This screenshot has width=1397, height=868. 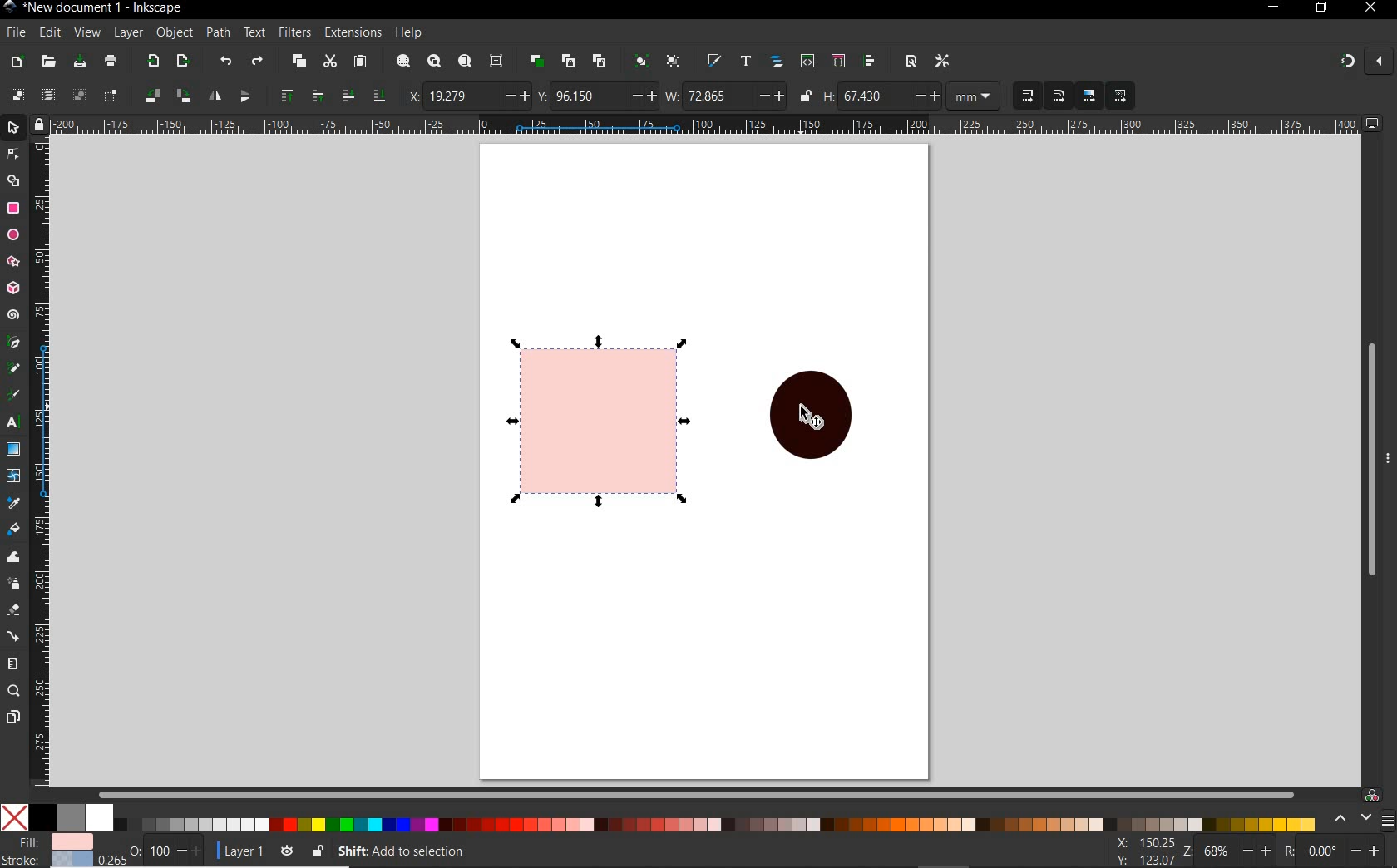 I want to click on group, so click(x=643, y=62).